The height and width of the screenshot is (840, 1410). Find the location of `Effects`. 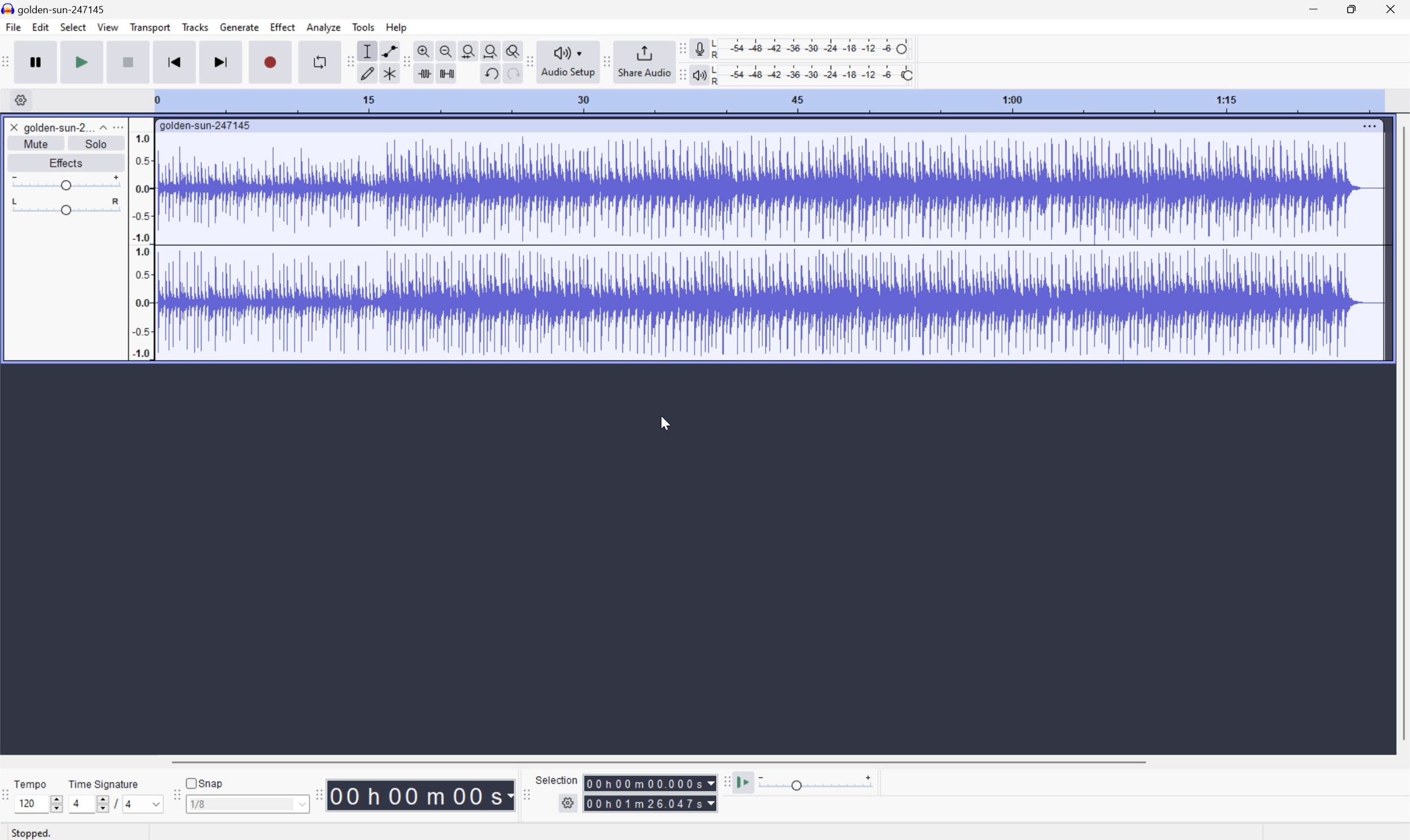

Effects is located at coordinates (67, 163).